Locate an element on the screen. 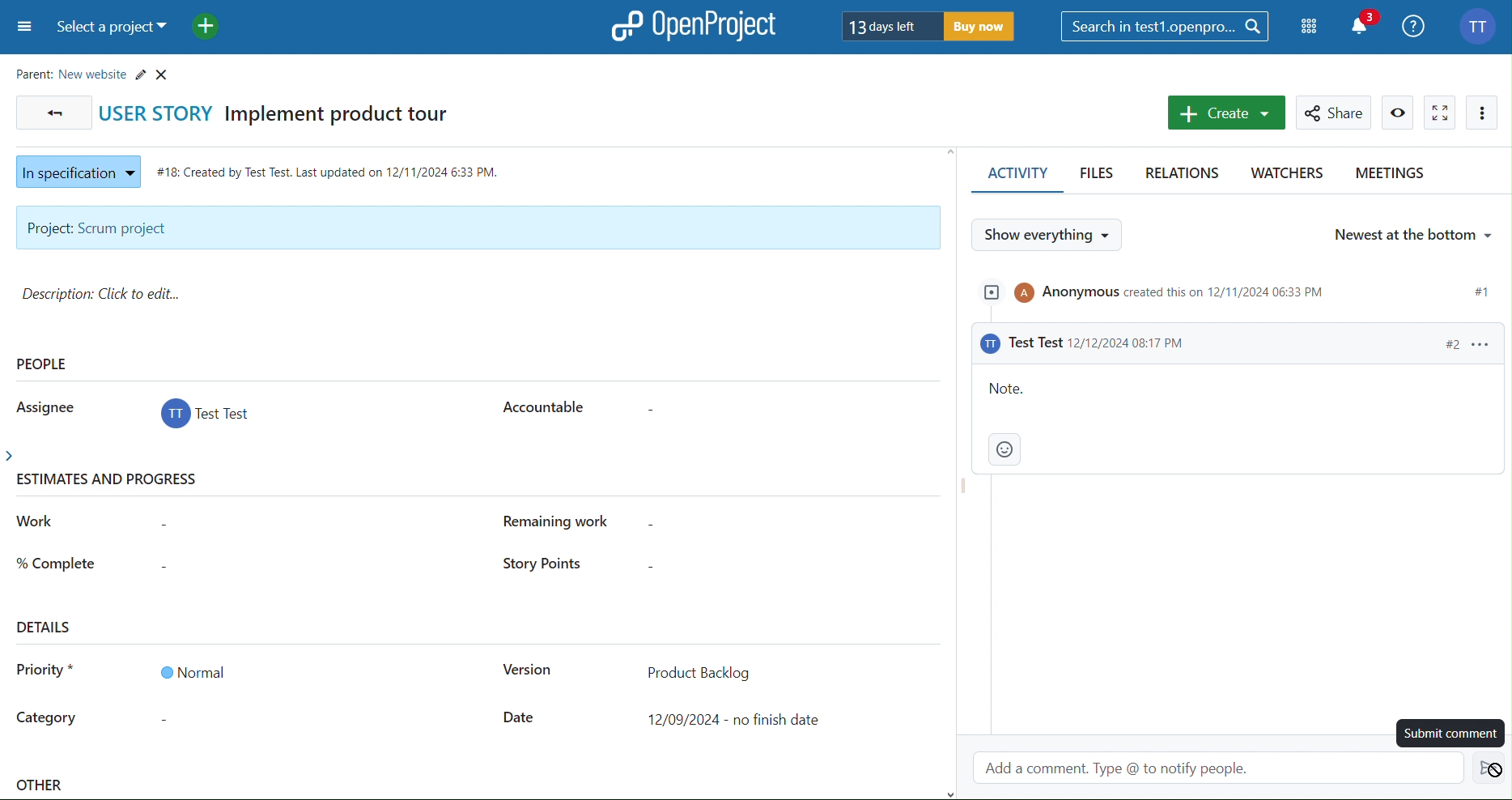 This screenshot has width=1512, height=800. #2 is located at coordinates (1443, 343).